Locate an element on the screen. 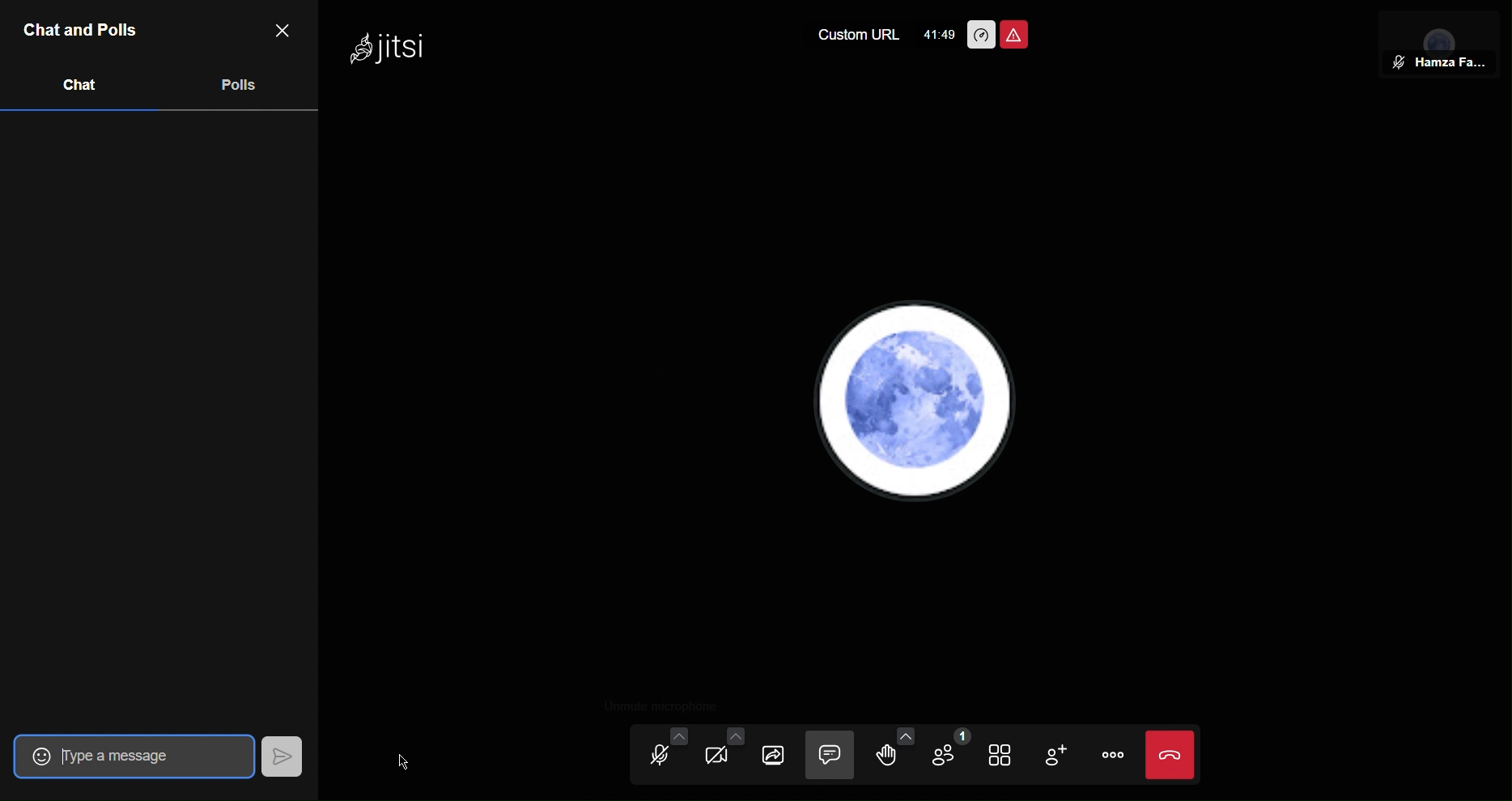 The width and height of the screenshot is (1512, 801). Raise Hand is located at coordinates (898, 751).